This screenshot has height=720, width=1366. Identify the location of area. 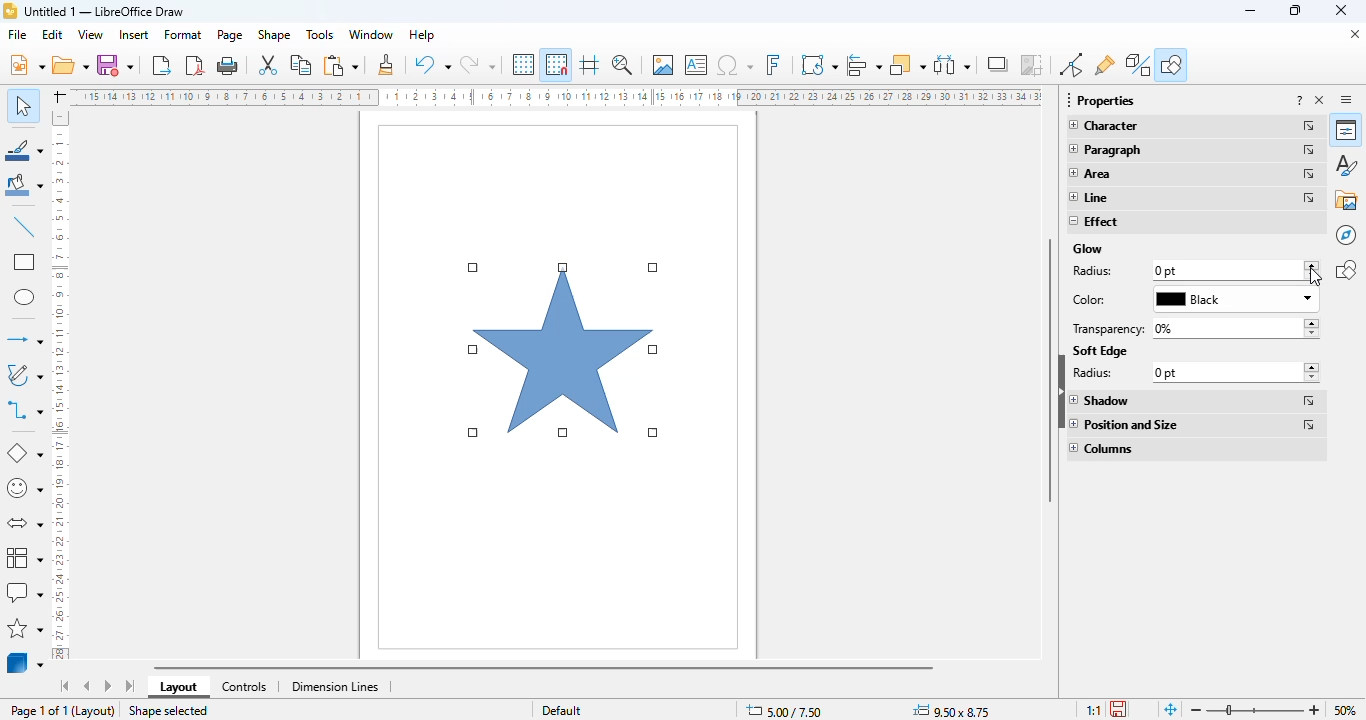
(1090, 173).